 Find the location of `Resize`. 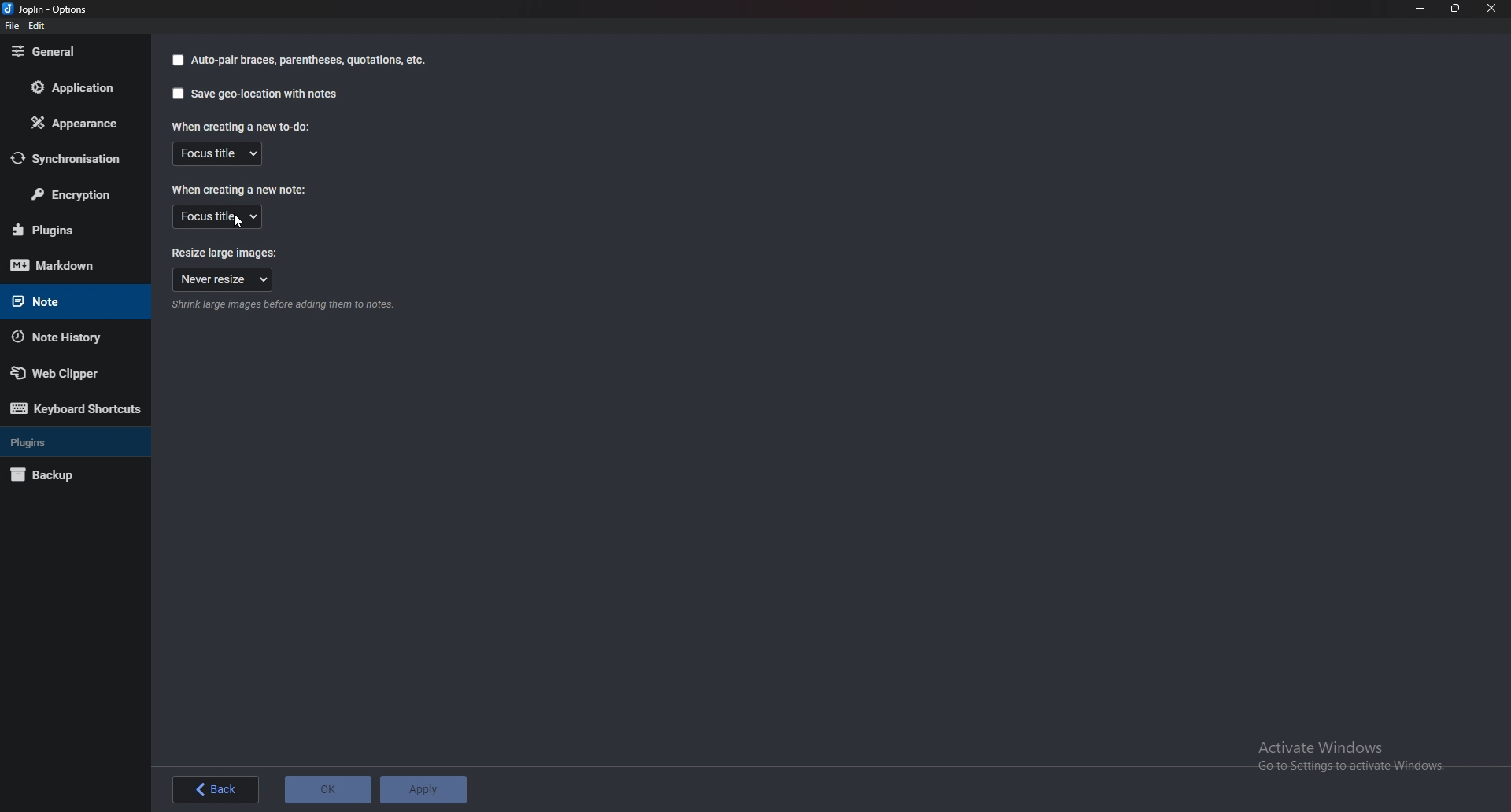

Resize is located at coordinates (1453, 9).